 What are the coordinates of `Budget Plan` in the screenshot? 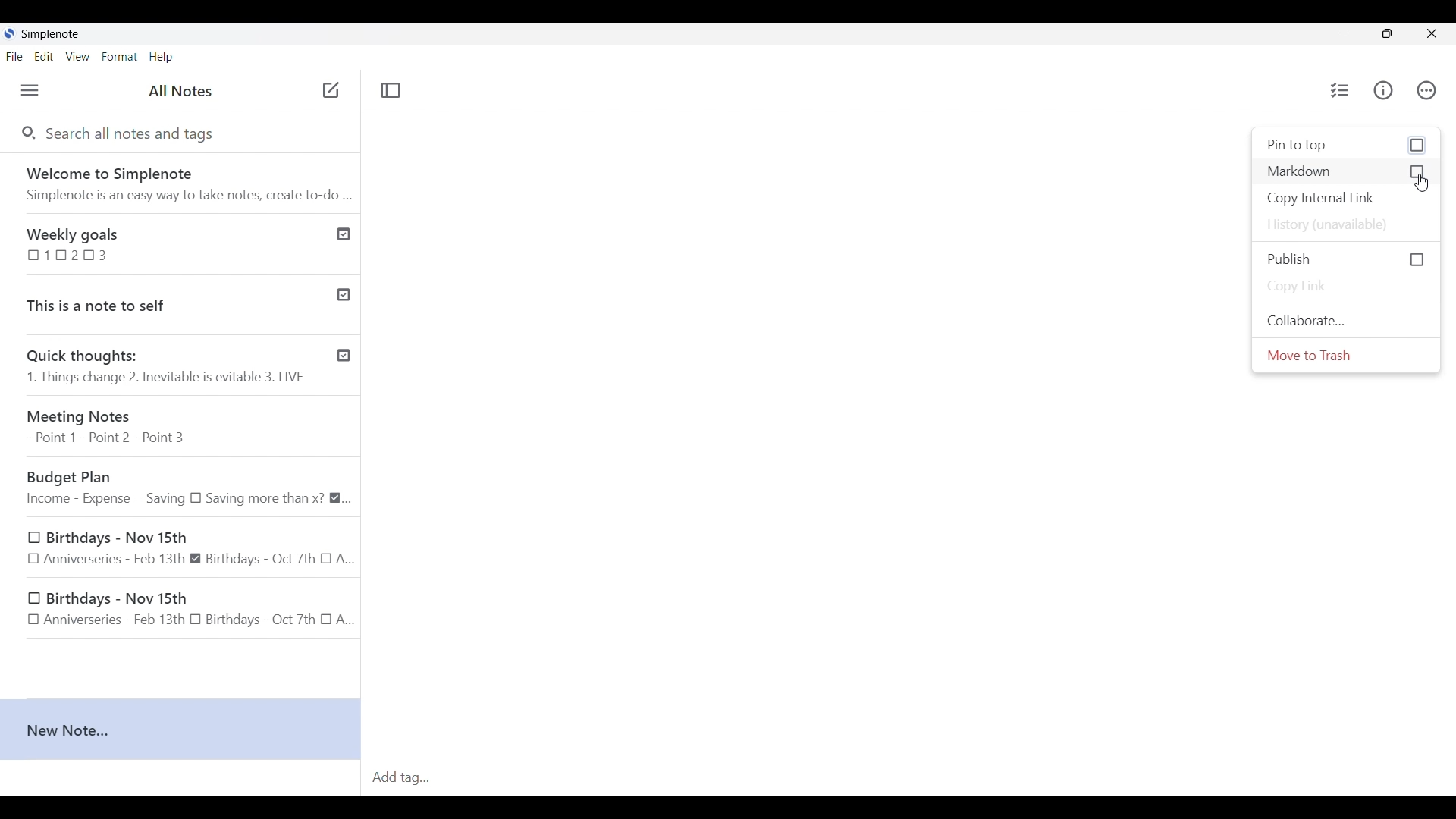 It's located at (188, 488).